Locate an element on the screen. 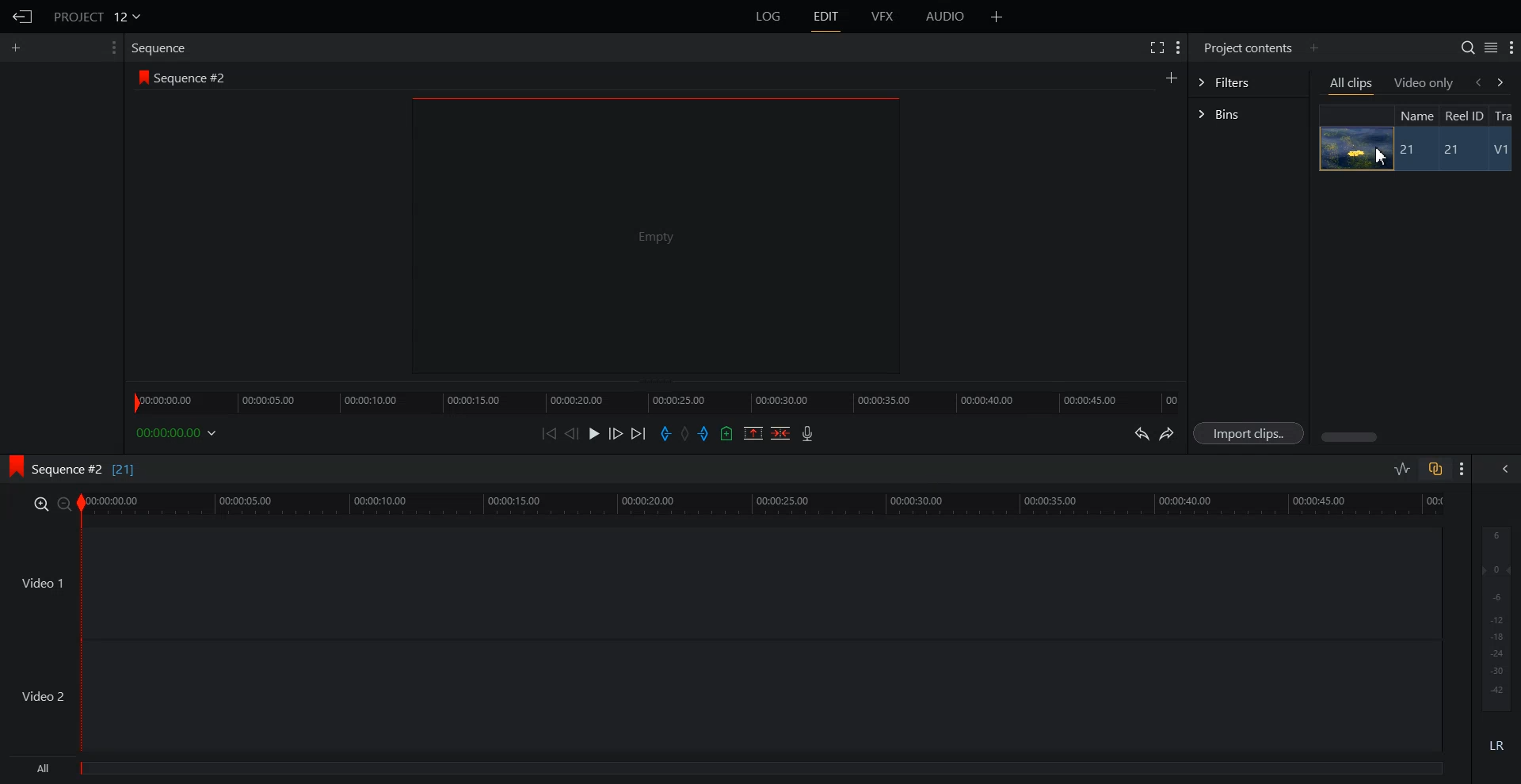 The height and width of the screenshot is (784, 1521). Show setting menu is located at coordinates (1462, 469).